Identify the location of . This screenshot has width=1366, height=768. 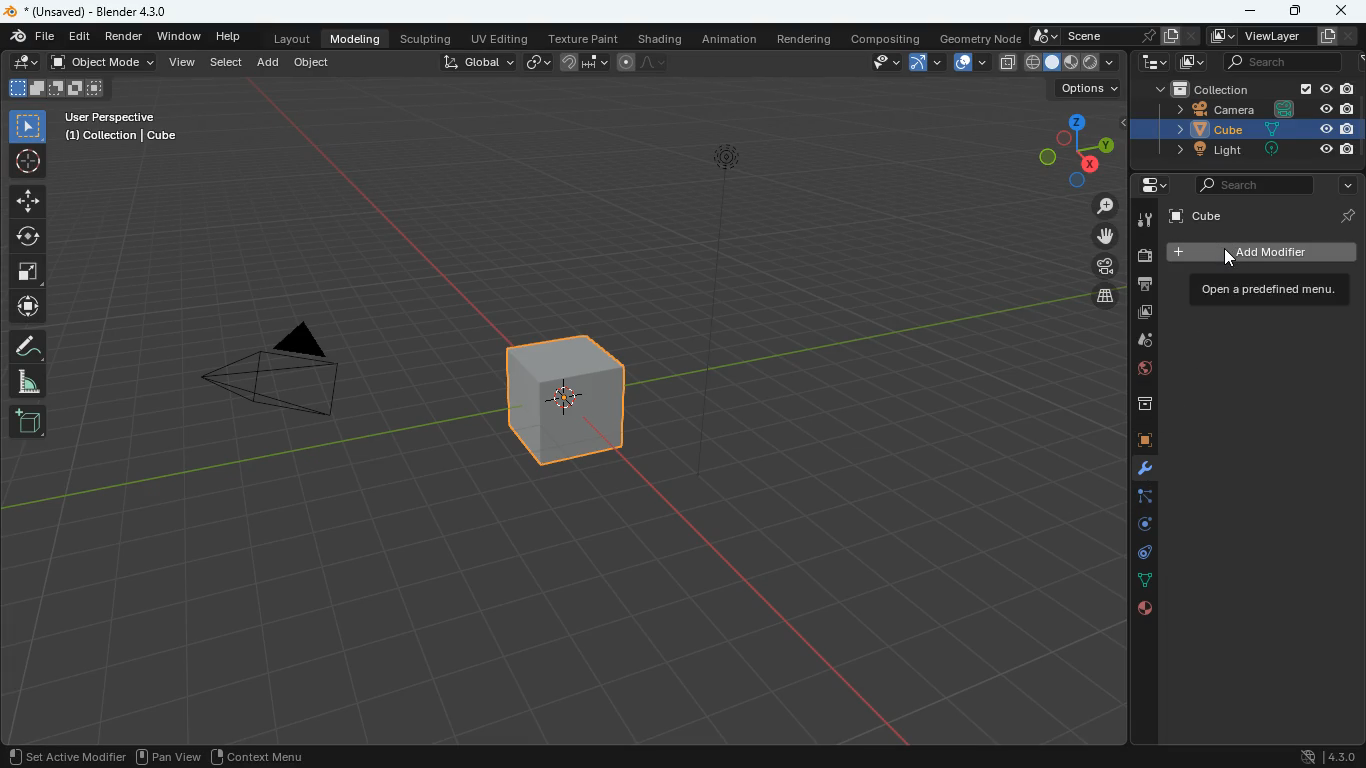
(1345, 129).